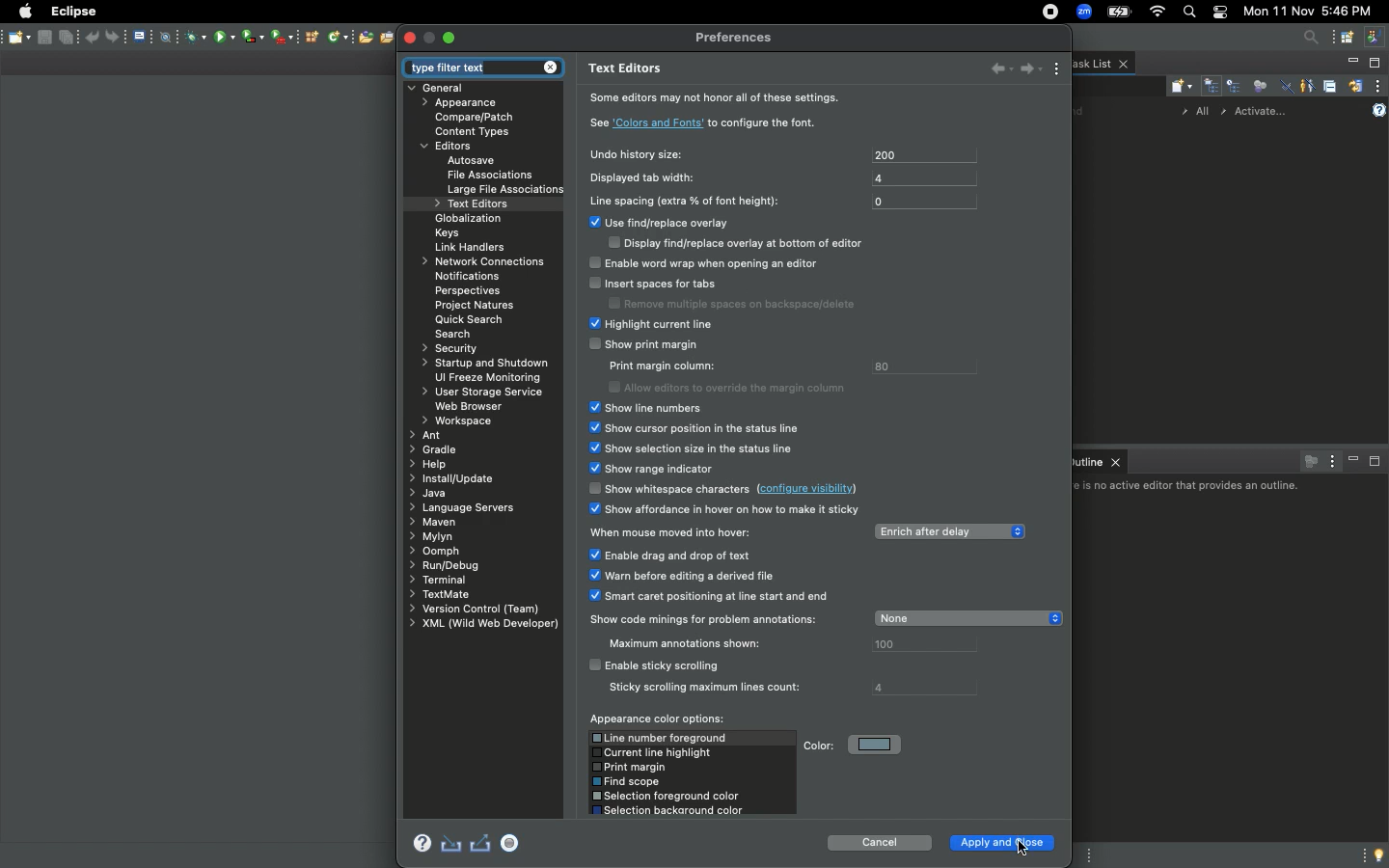 Image resolution: width=1389 pixels, height=868 pixels. I want to click on Version control, so click(475, 609).